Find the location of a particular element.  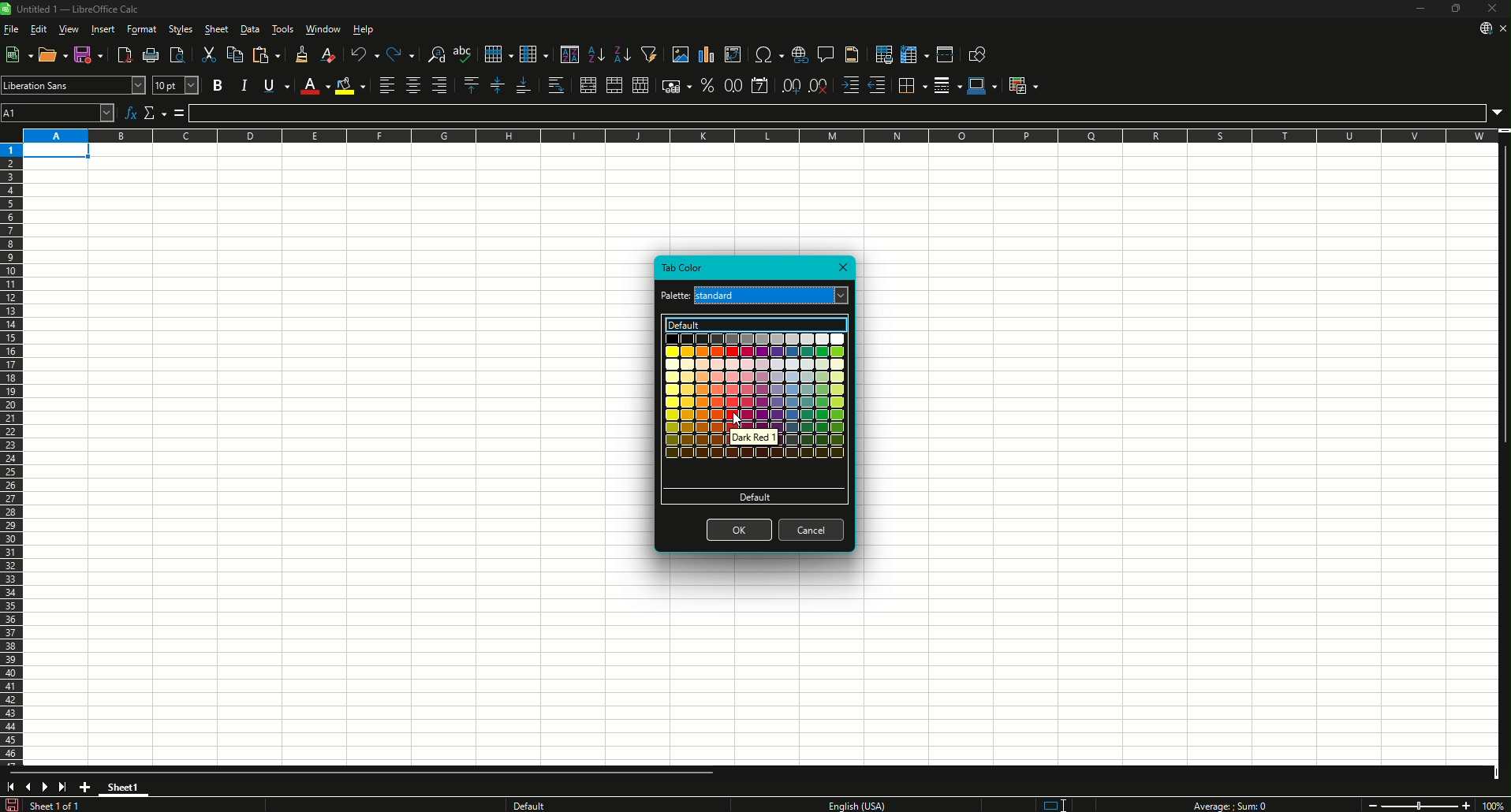

Text is located at coordinates (675, 296).